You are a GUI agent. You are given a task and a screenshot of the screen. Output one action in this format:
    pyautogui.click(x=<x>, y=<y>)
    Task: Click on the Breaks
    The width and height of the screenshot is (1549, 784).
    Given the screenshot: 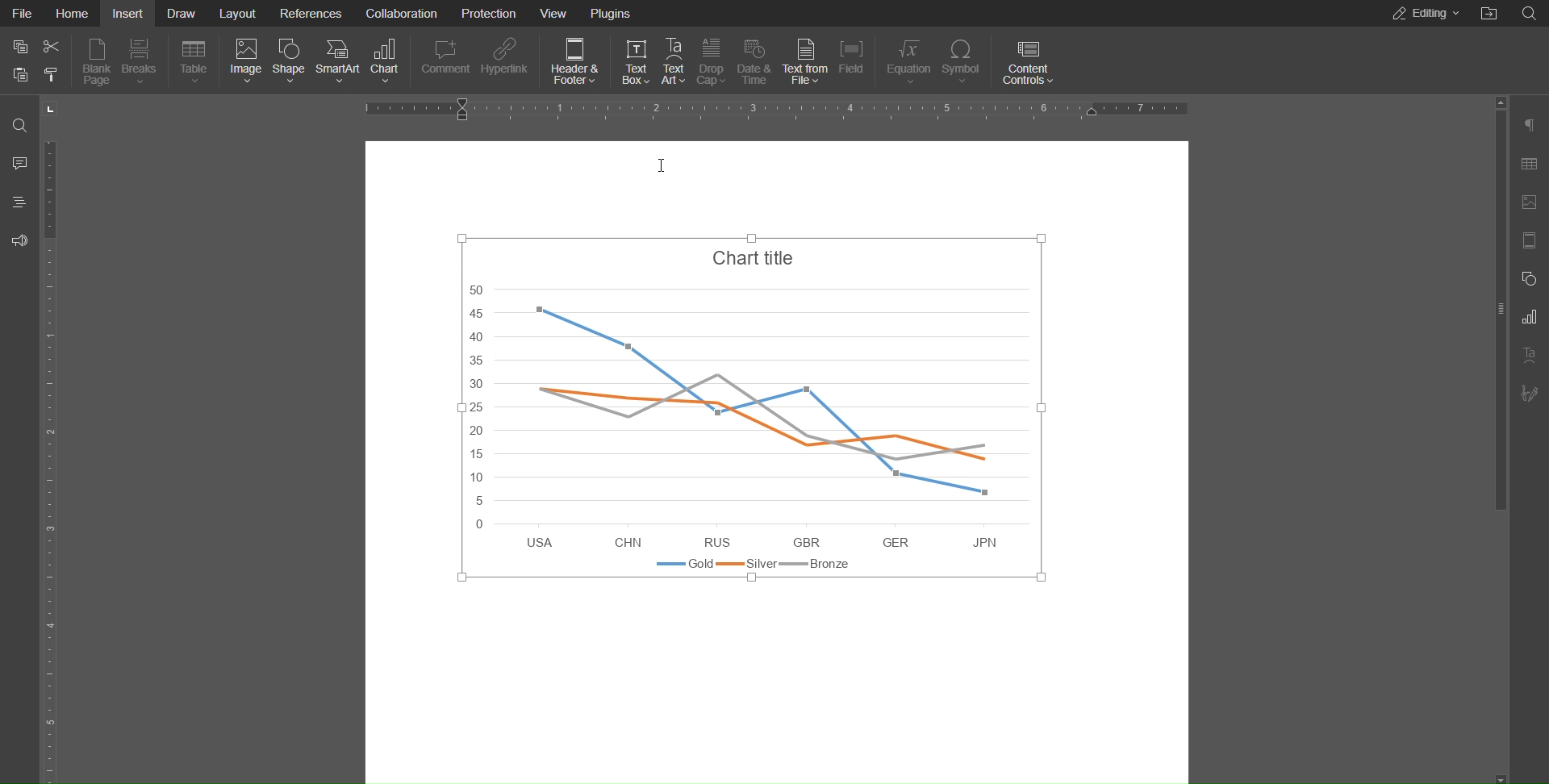 What is the action you would take?
    pyautogui.click(x=140, y=63)
    